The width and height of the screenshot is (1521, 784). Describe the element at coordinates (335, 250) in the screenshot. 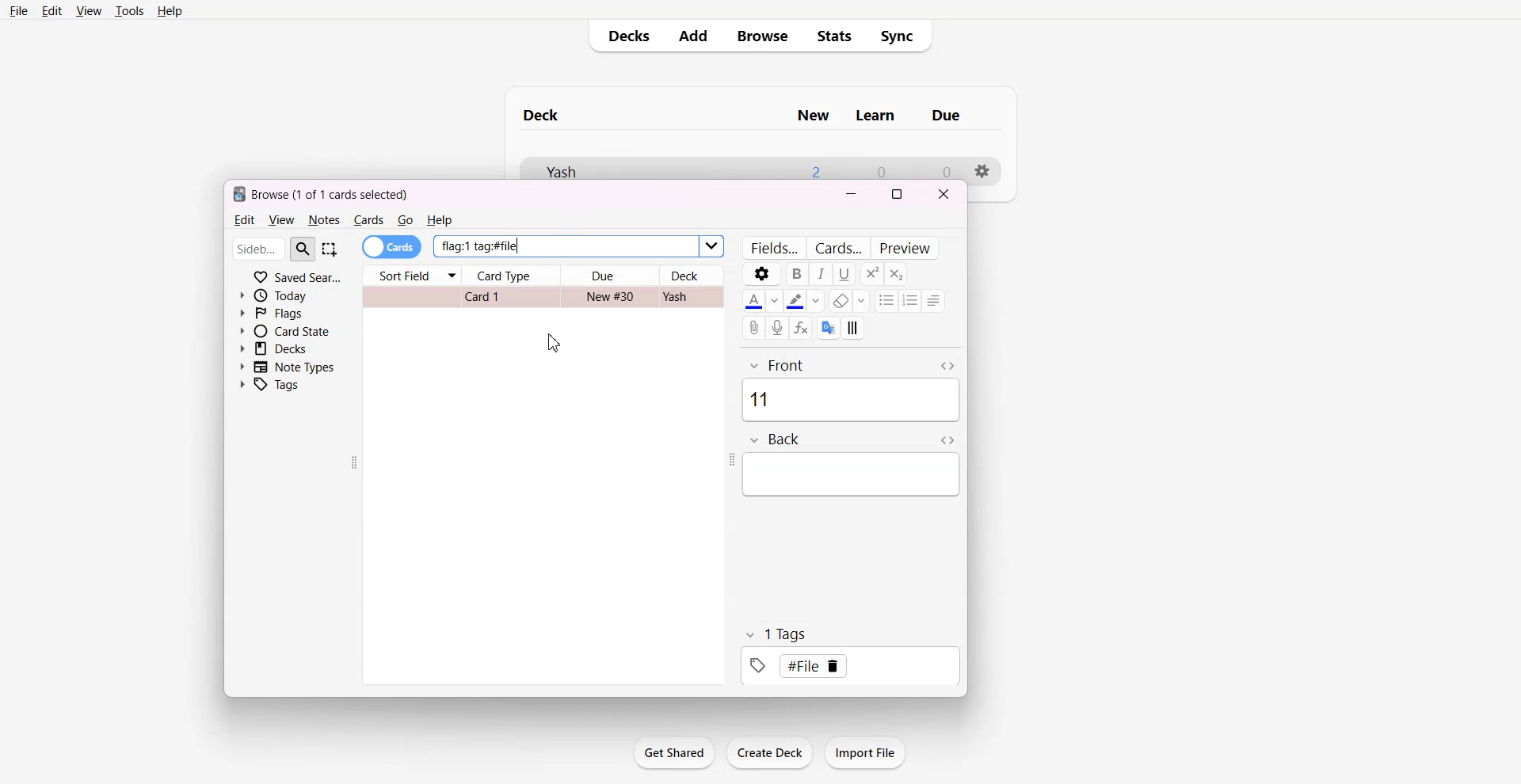

I see `Select` at that location.